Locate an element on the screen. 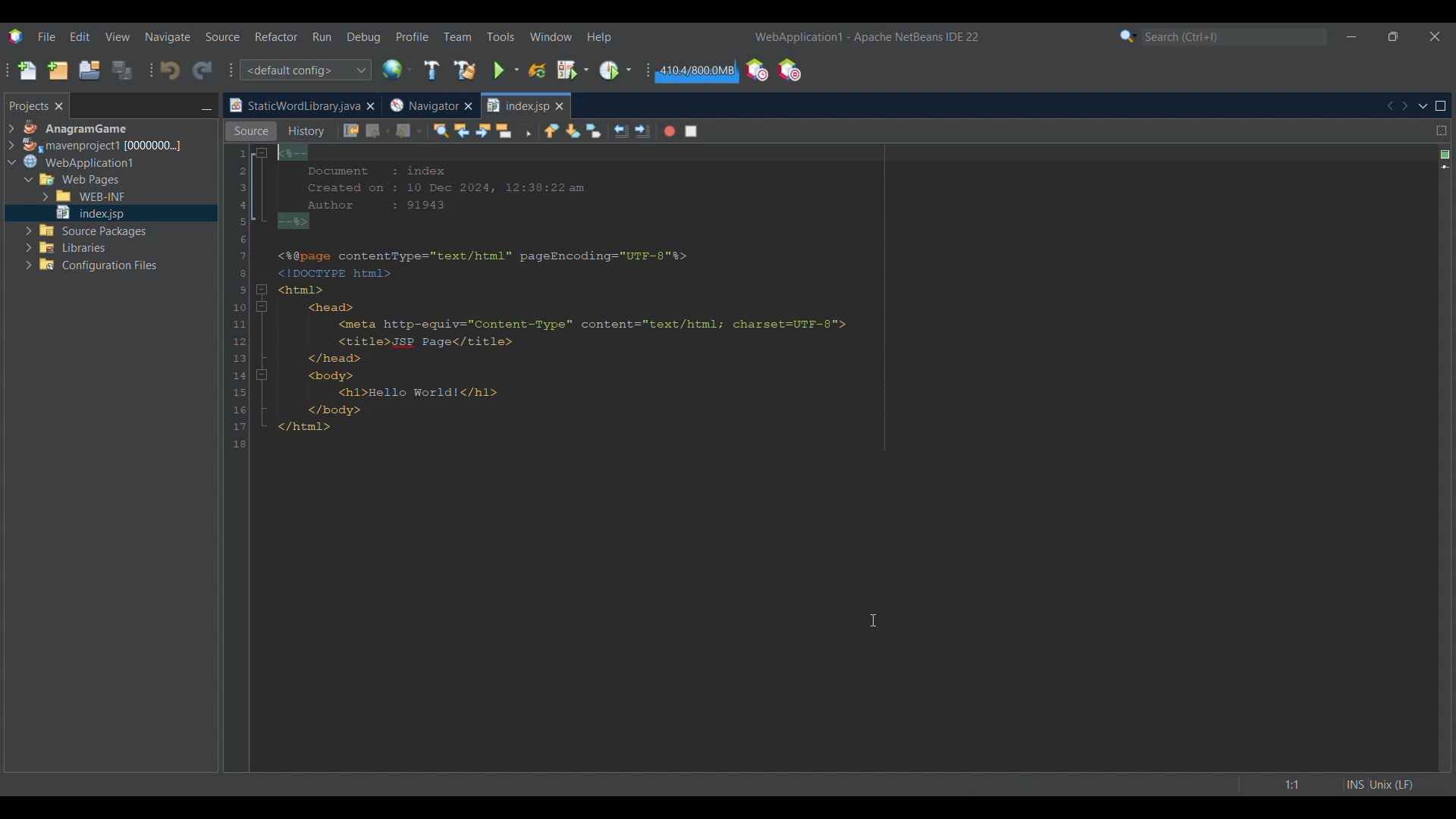 Image resolution: width=1456 pixels, height=819 pixels. Last edit is located at coordinates (351, 130).